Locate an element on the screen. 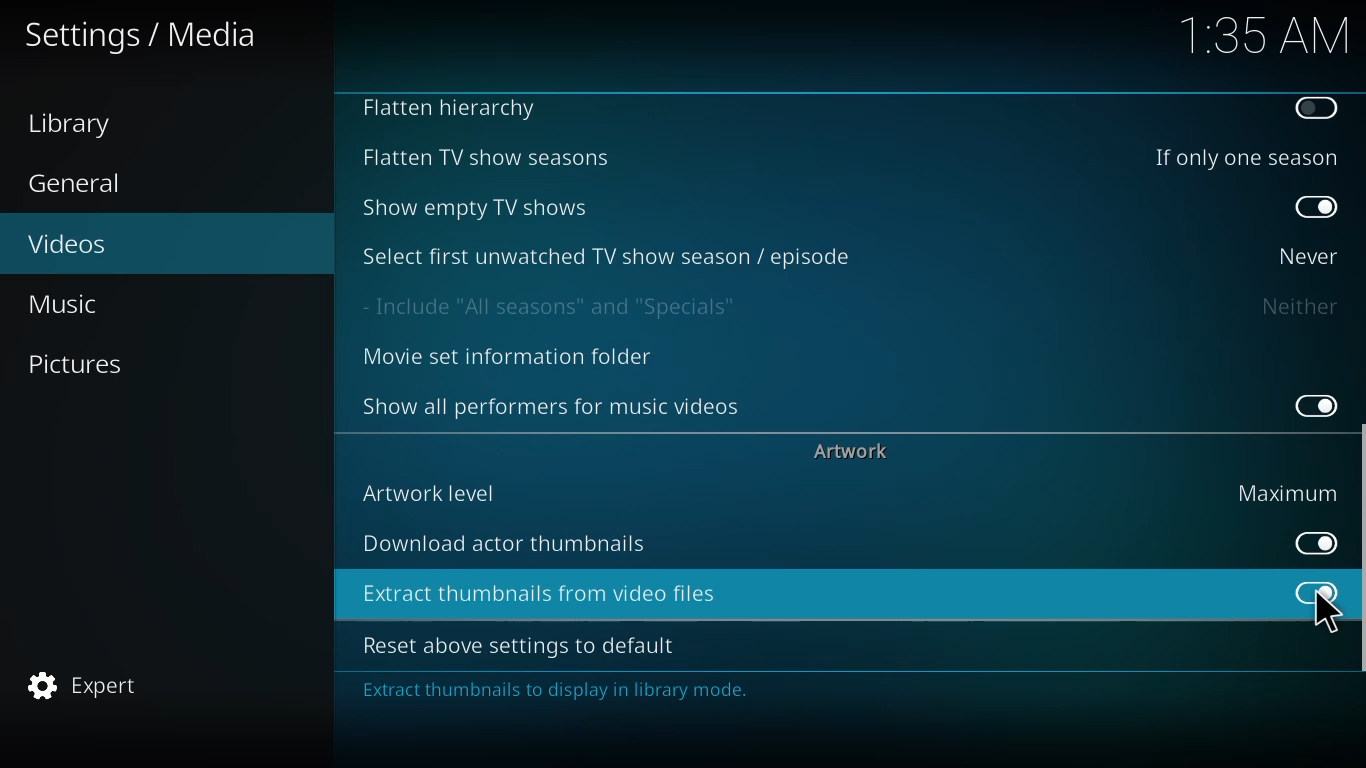 Image resolution: width=1366 pixels, height=768 pixels. scrollbar is located at coordinates (1357, 560).